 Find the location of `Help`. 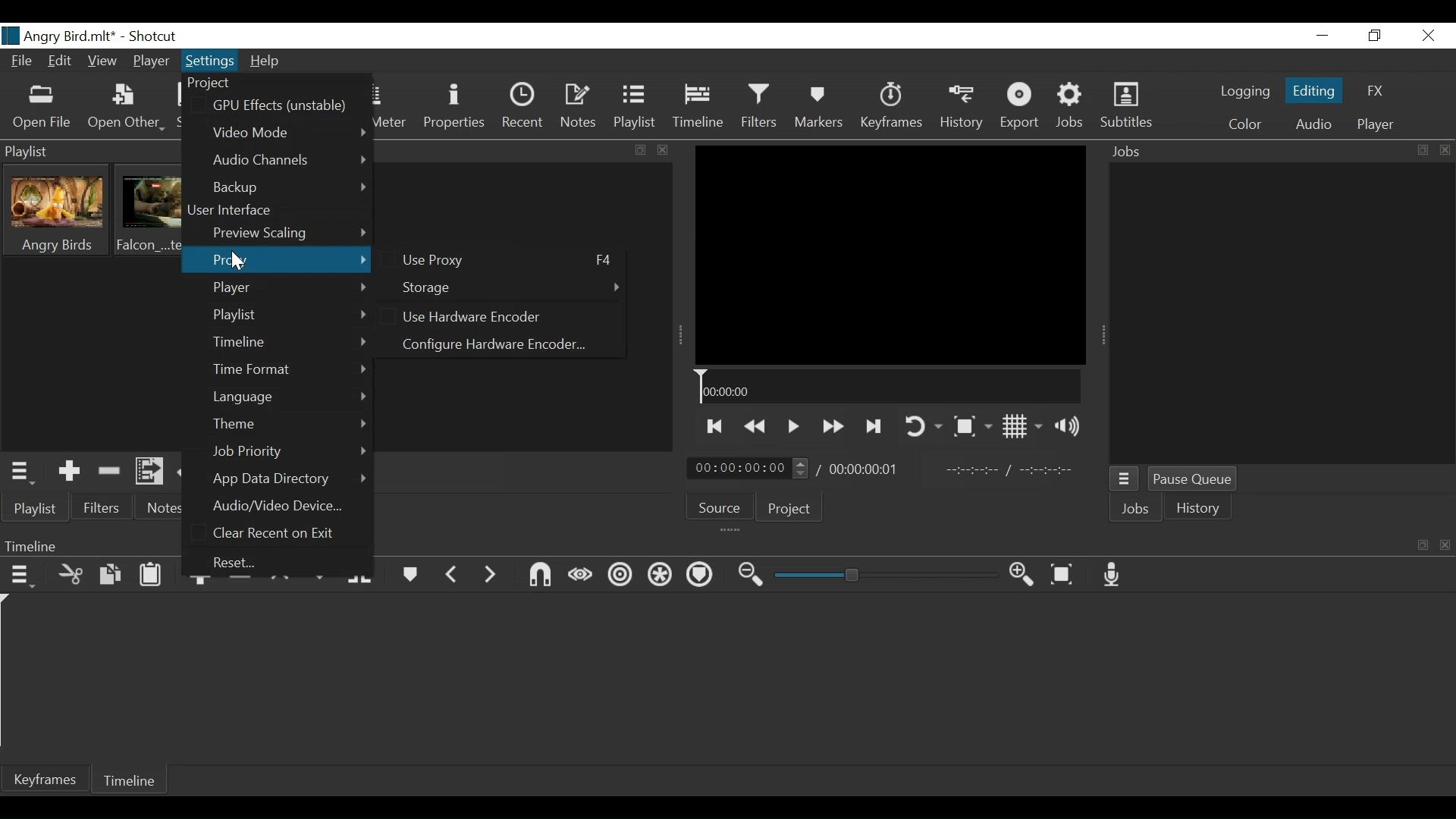

Help is located at coordinates (268, 62).